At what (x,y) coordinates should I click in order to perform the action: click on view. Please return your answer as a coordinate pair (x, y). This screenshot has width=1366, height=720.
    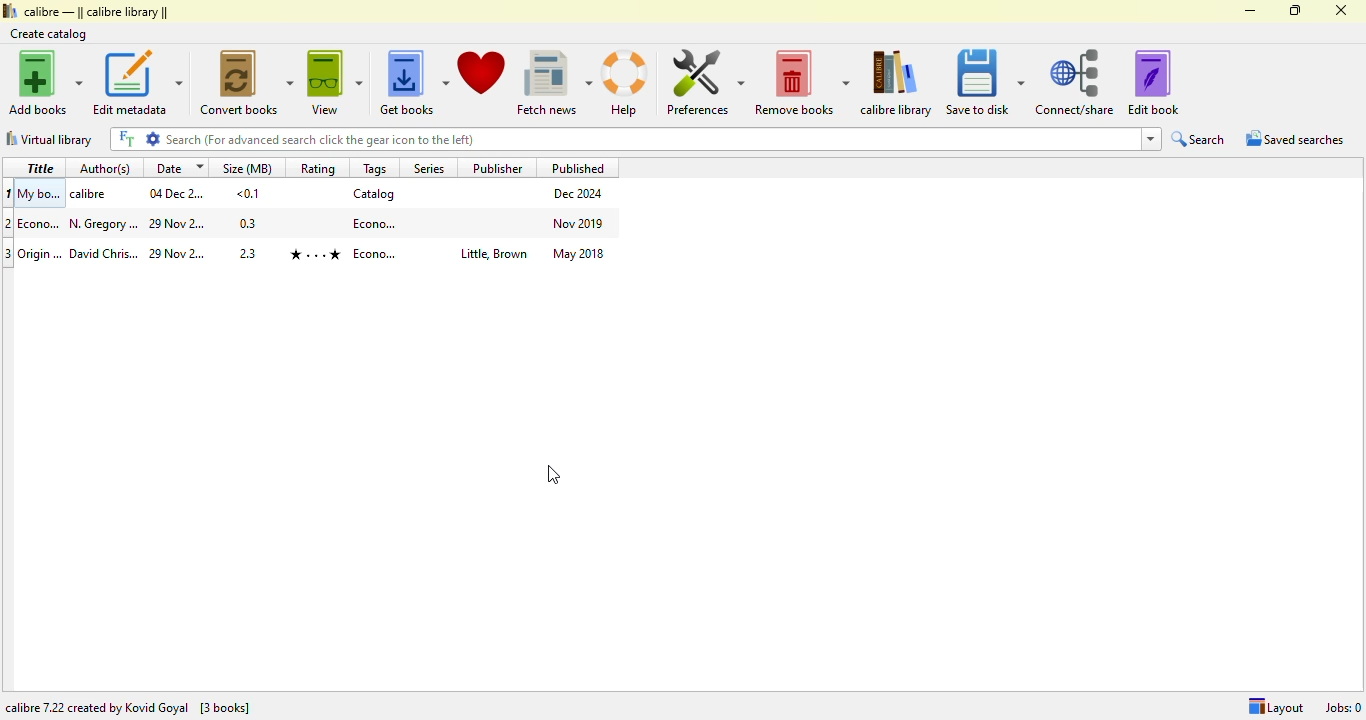
    Looking at the image, I should click on (334, 82).